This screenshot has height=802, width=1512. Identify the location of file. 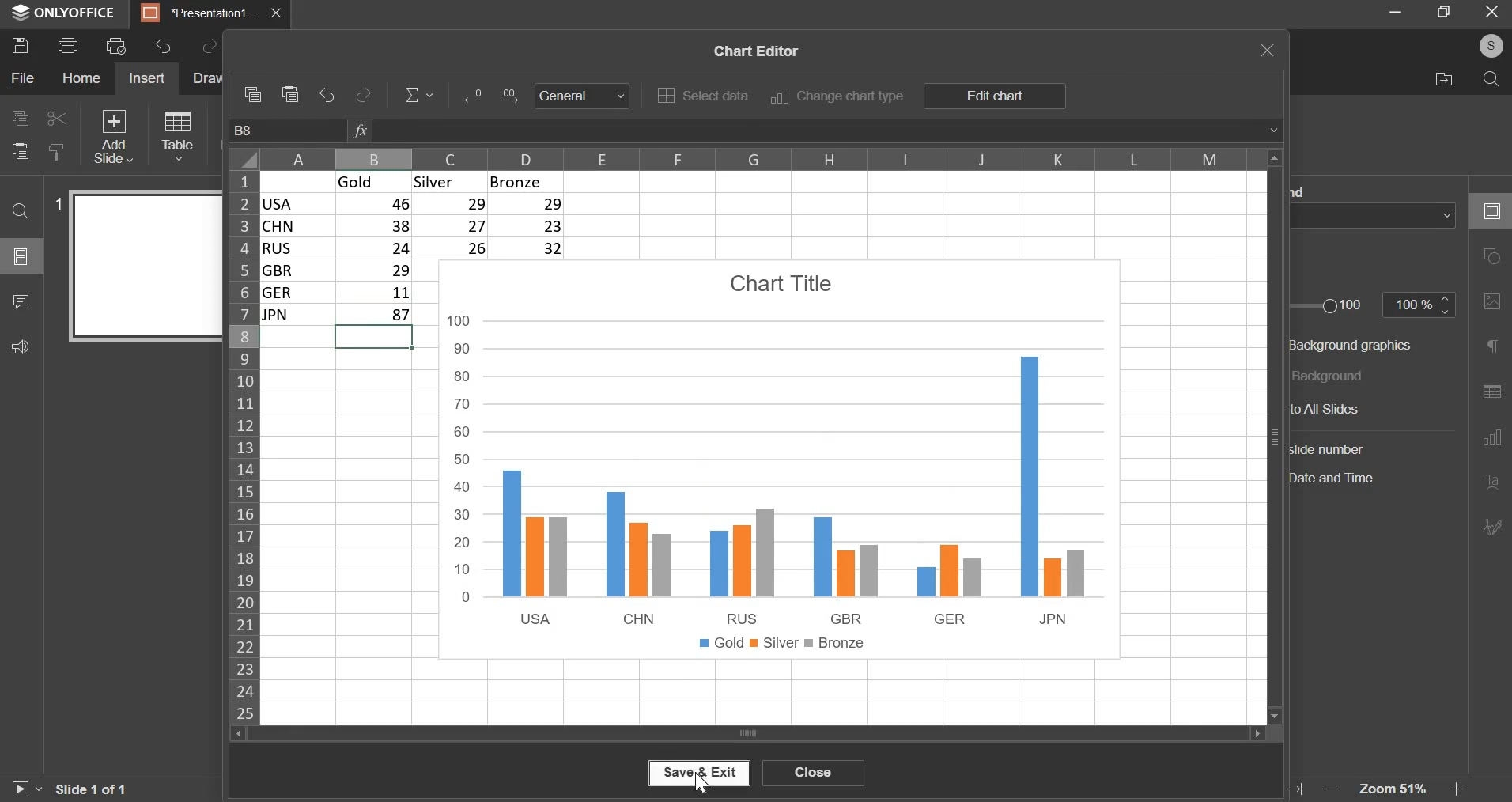
(22, 78).